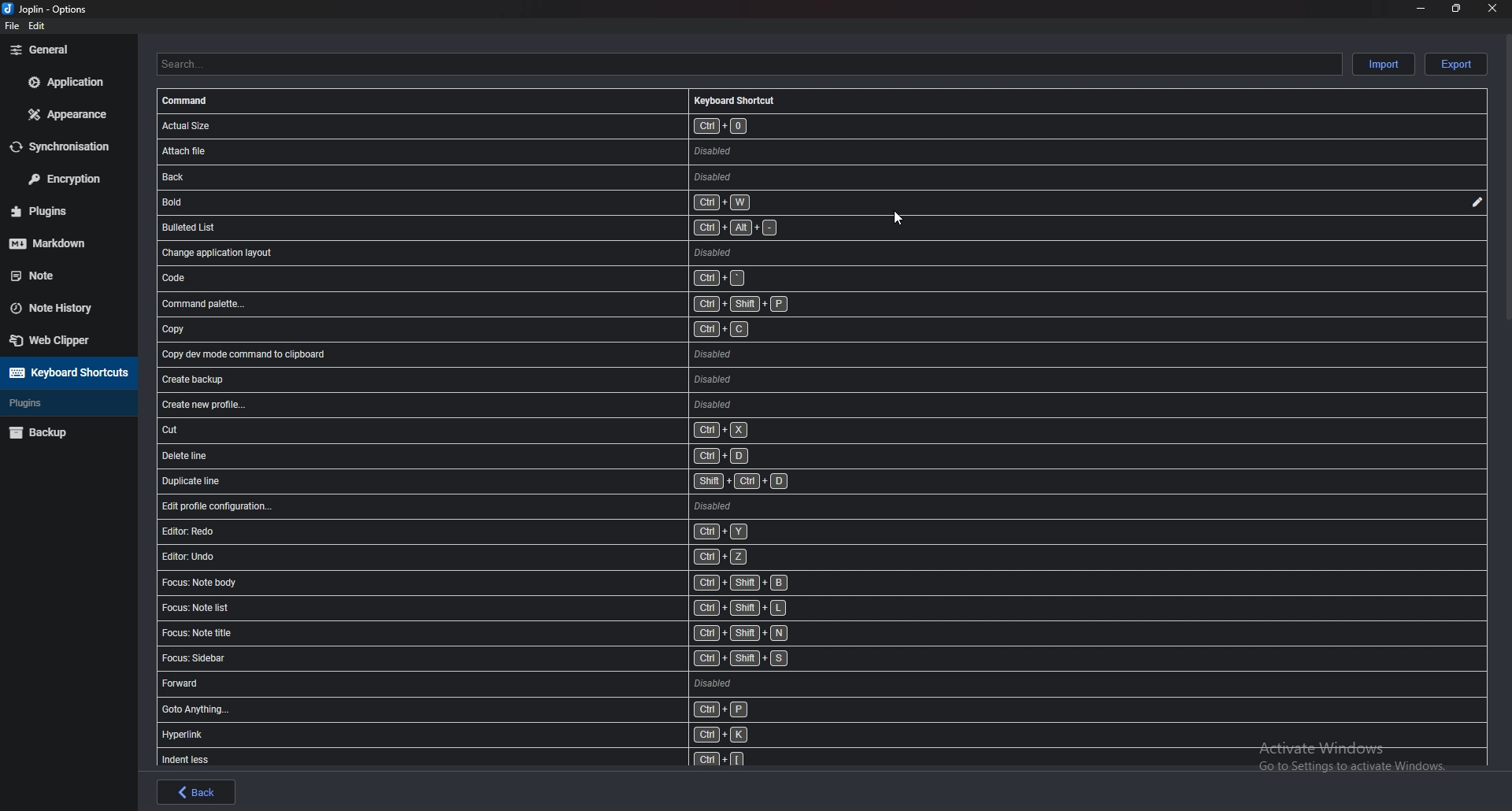 This screenshot has width=1512, height=811. Describe the element at coordinates (1384, 65) in the screenshot. I see `Import` at that location.